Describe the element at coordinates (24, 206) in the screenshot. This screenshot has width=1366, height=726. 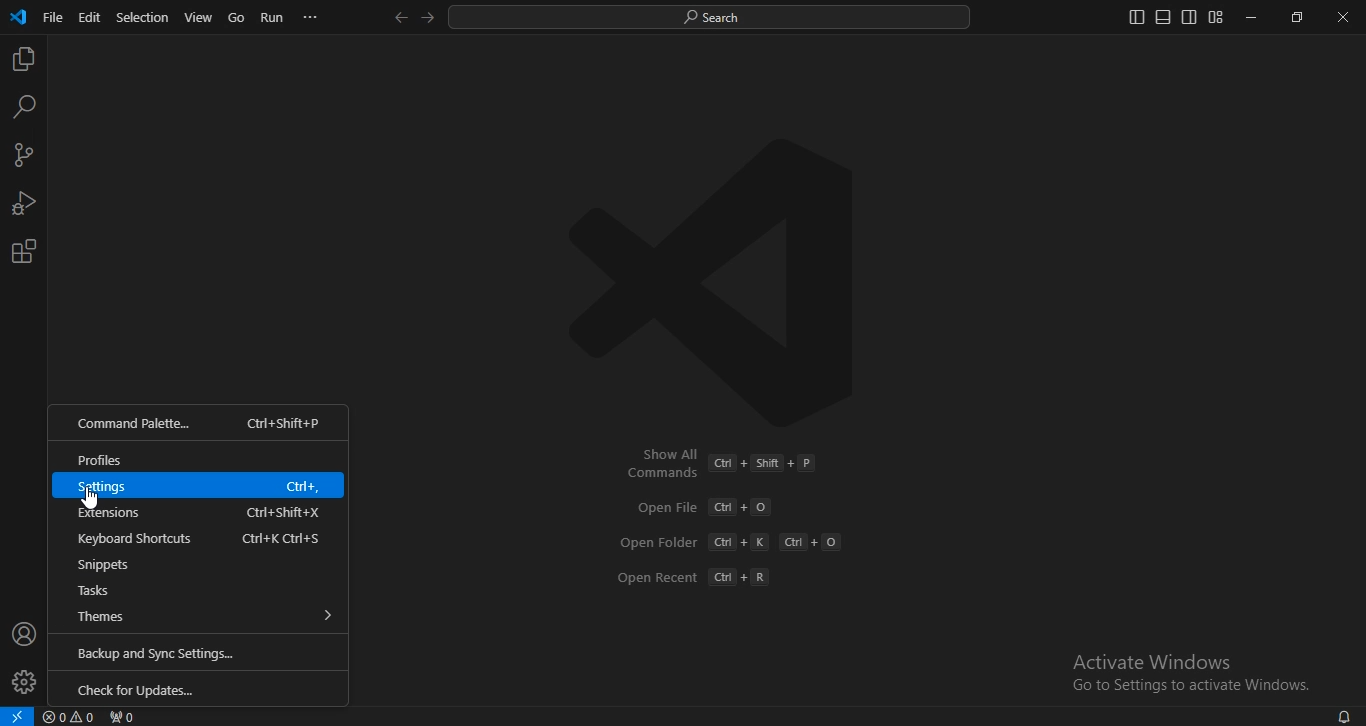
I see `run and debug` at that location.